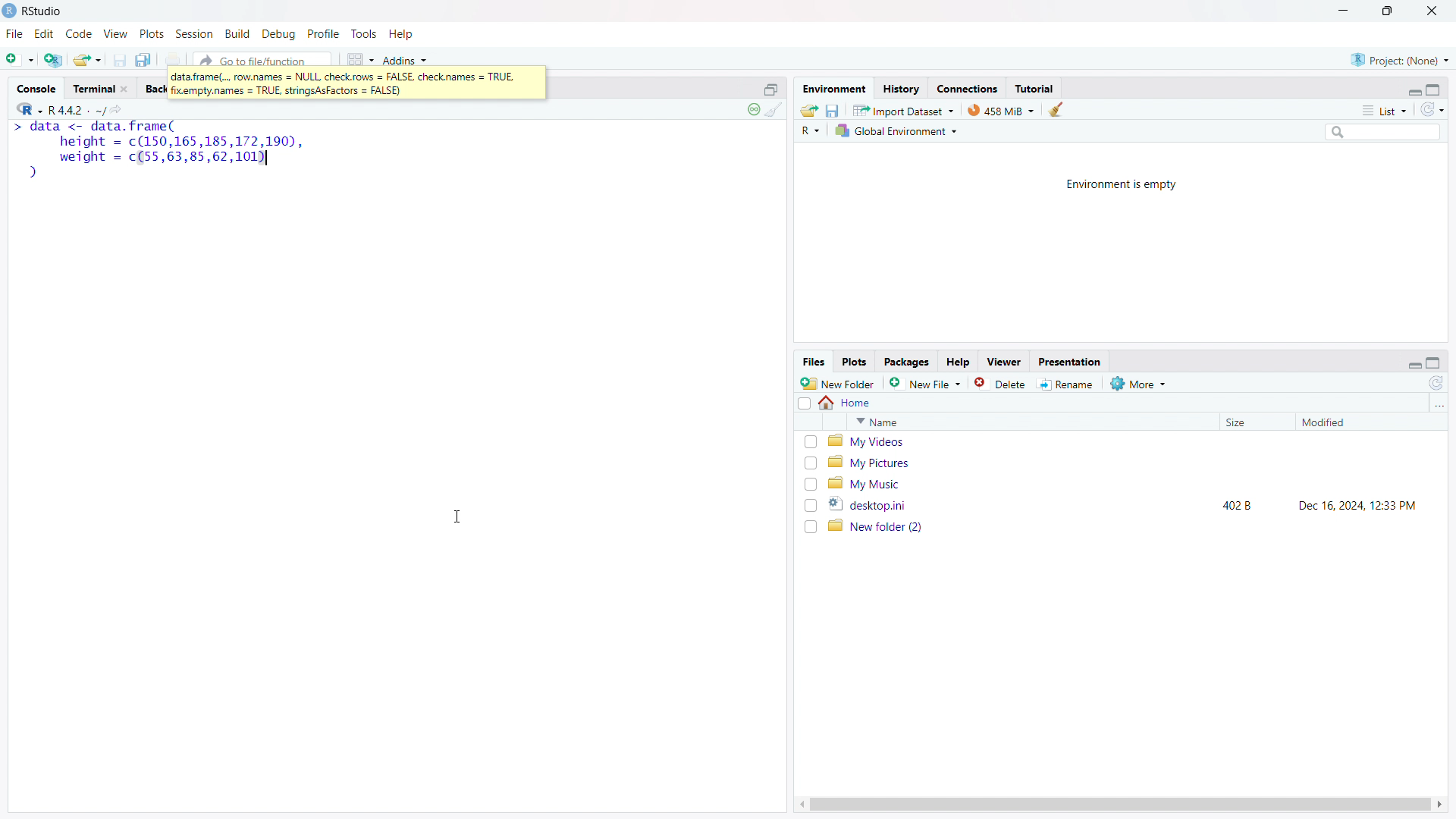 The width and height of the screenshot is (1456, 819). What do you see at coordinates (1131, 504) in the screenshot?
I see `desktop.in  402B Dec 16, 2024, 12:33PM` at bounding box center [1131, 504].